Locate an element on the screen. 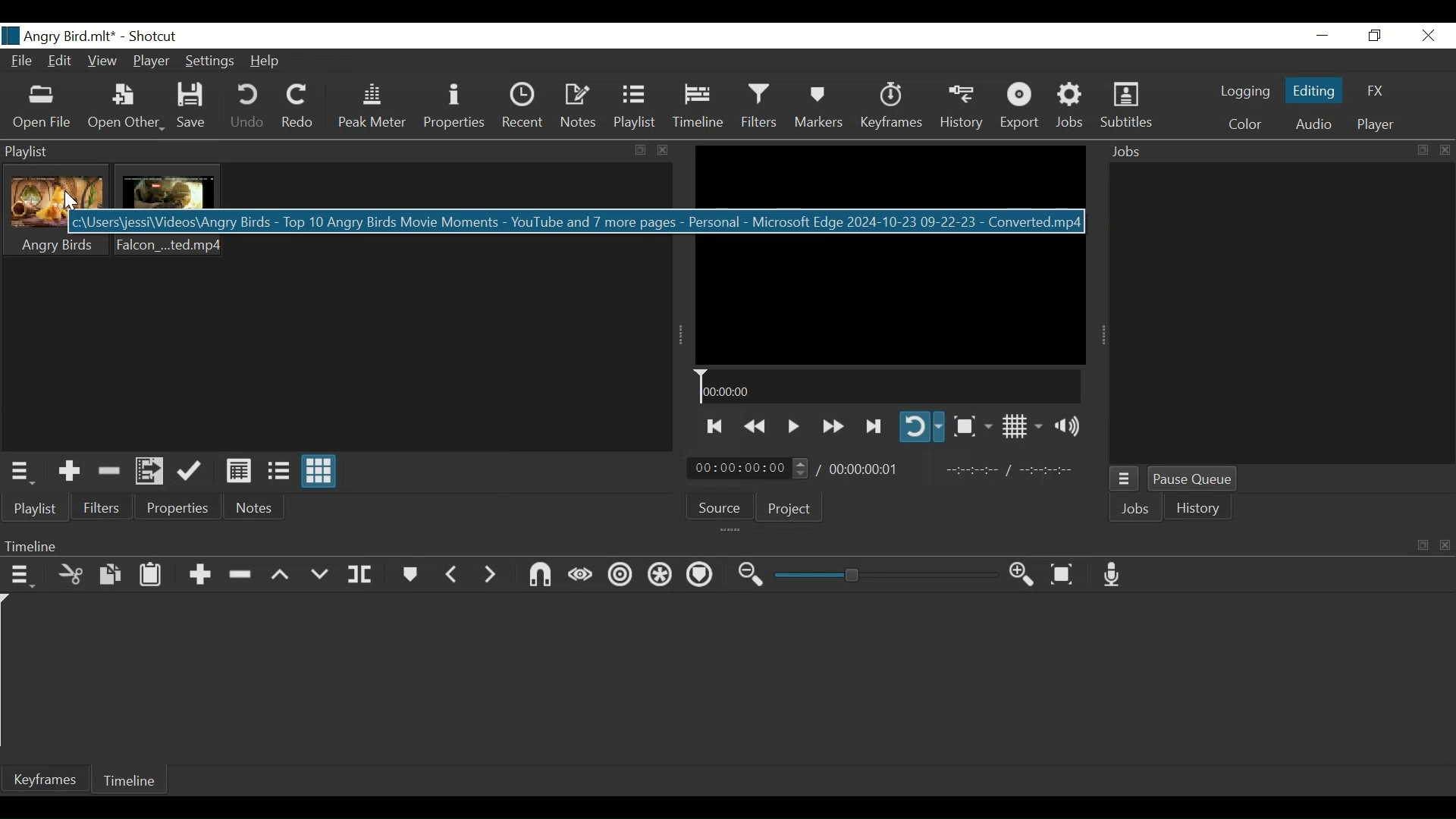  logging is located at coordinates (1245, 93).